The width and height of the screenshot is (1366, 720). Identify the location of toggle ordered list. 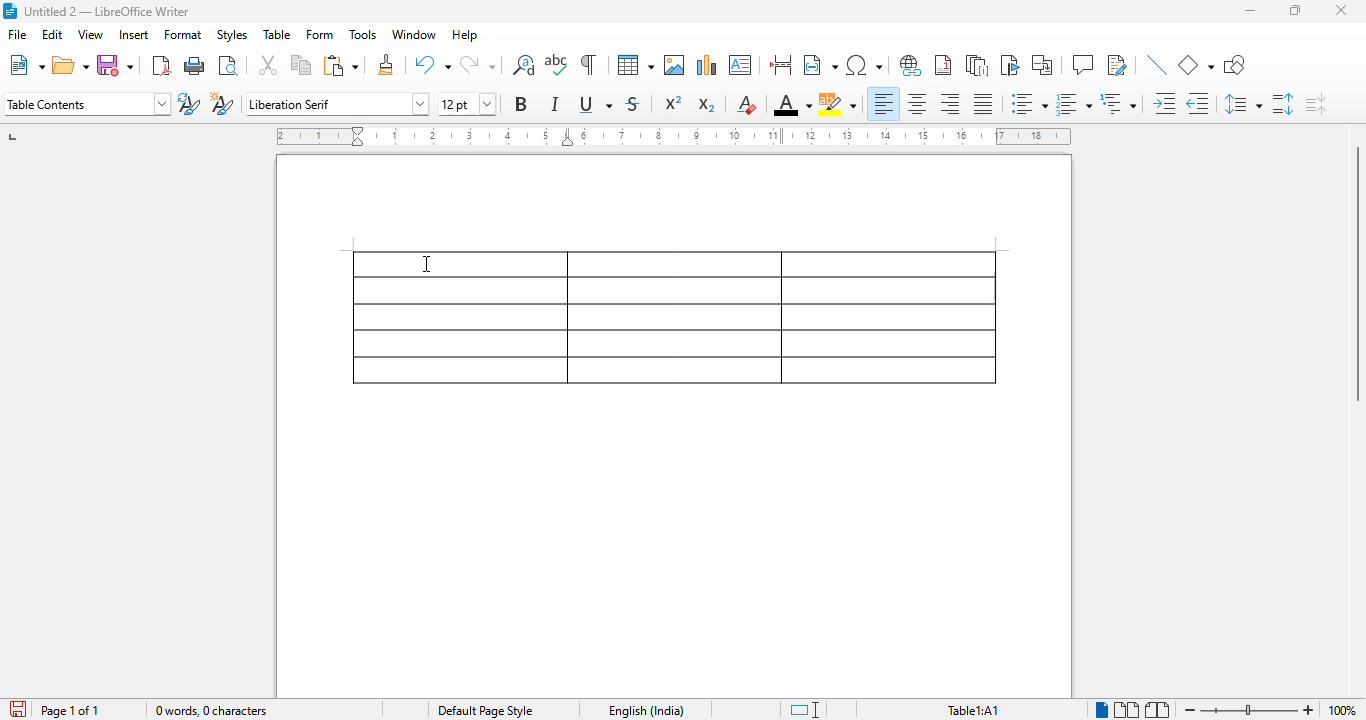
(1074, 104).